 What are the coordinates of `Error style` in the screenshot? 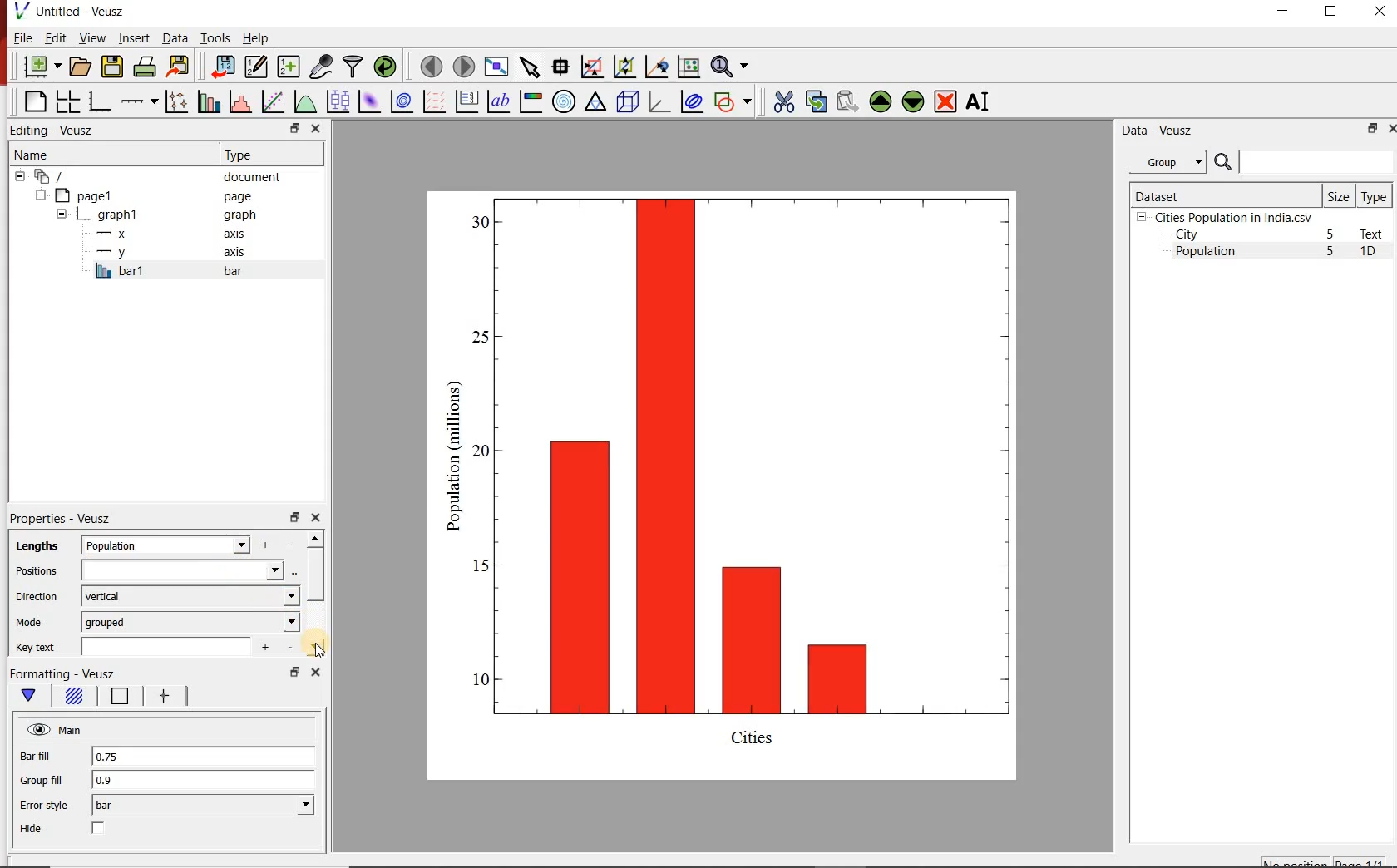 It's located at (43, 806).